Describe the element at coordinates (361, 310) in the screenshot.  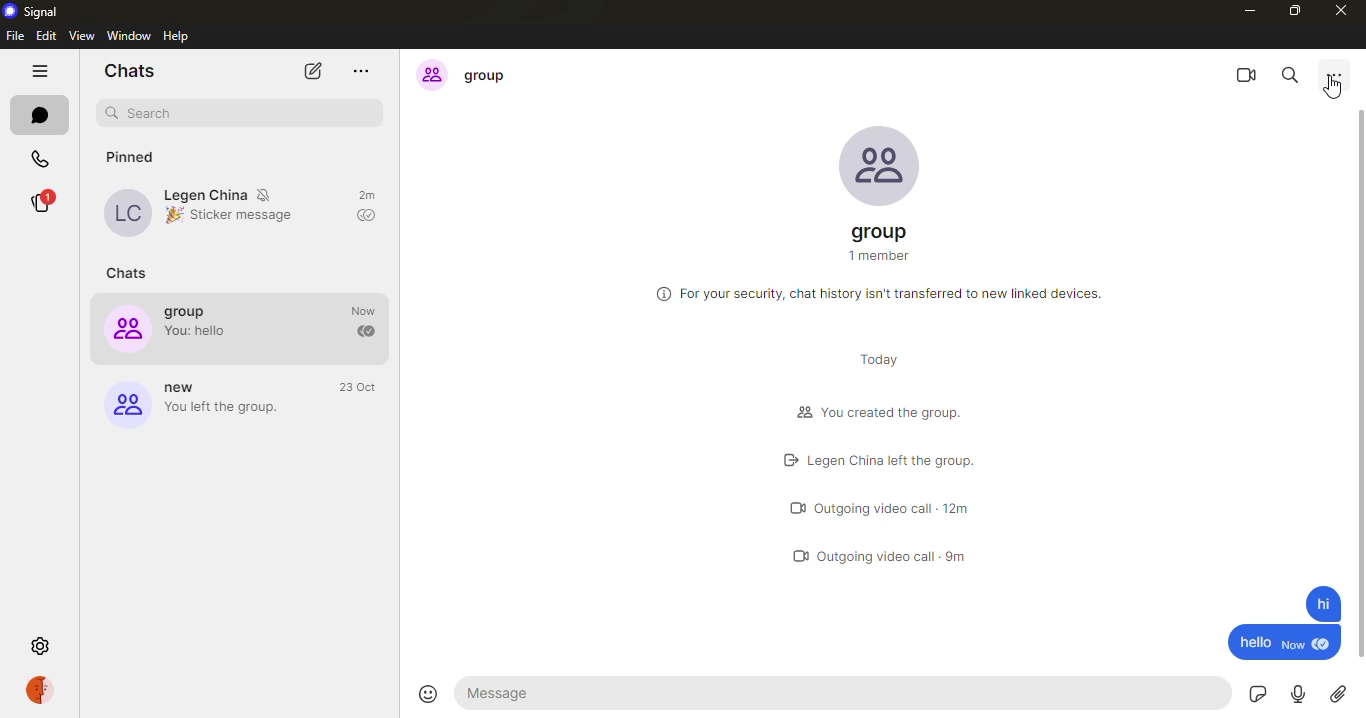
I see `time` at that location.